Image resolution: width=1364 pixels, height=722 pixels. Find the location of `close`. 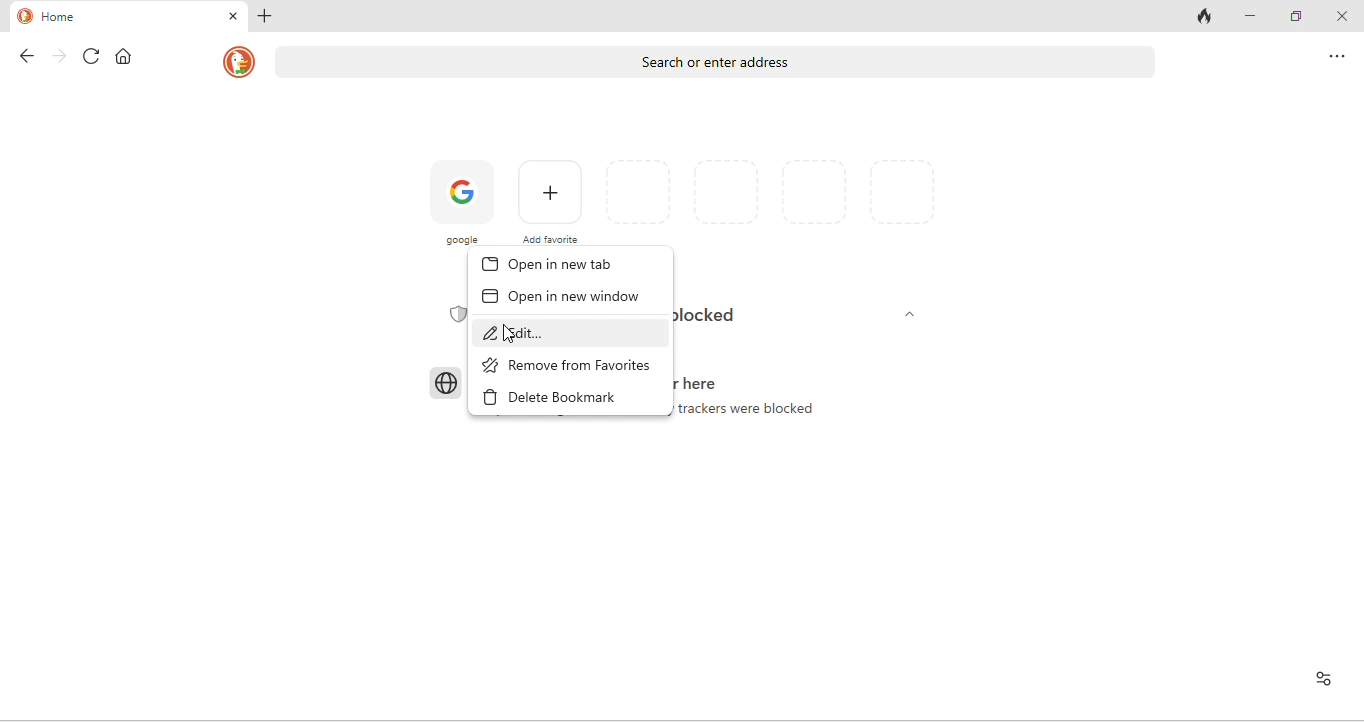

close is located at coordinates (1341, 17).